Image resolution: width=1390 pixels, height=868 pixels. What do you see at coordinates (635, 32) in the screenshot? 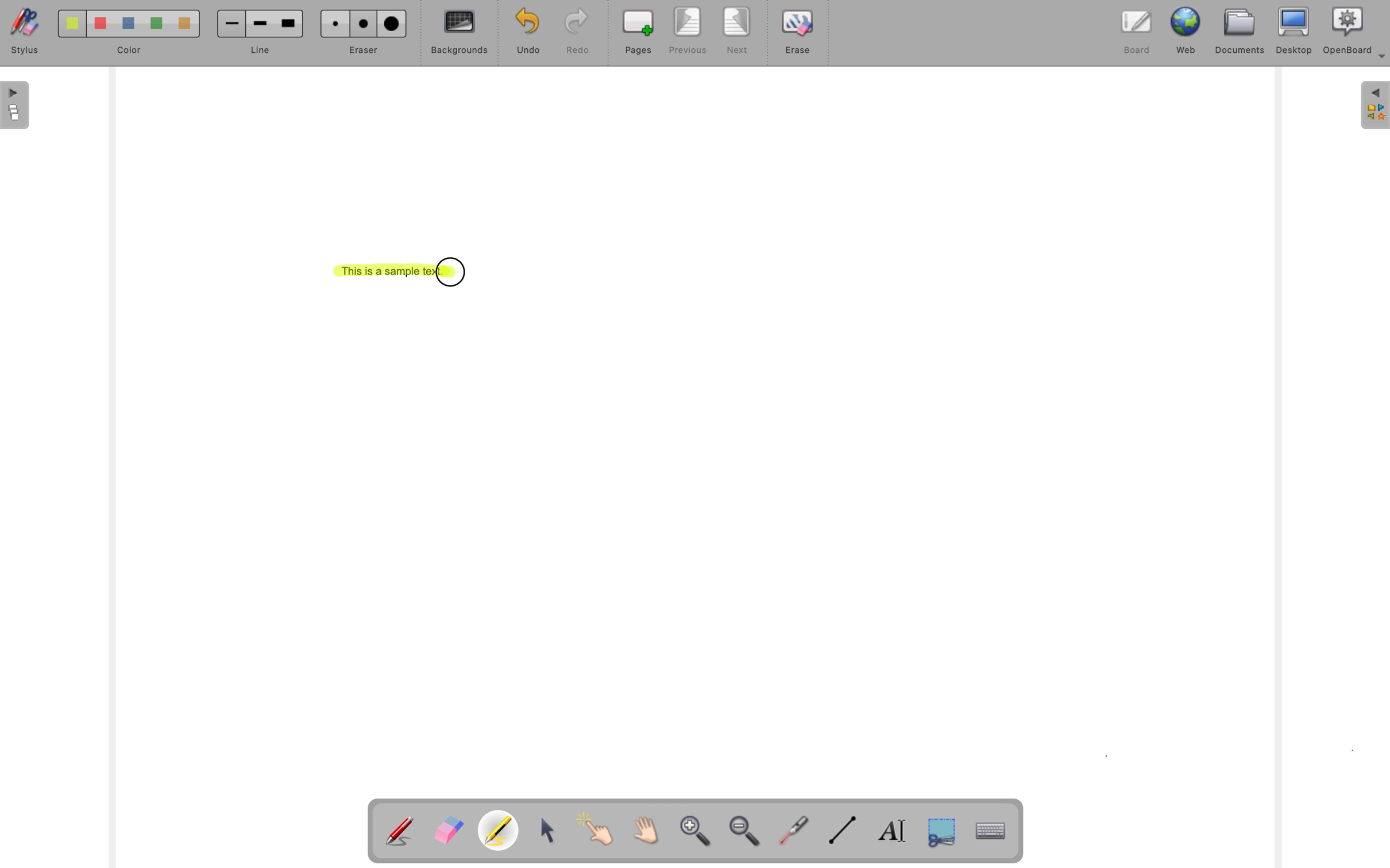
I see `pages` at bounding box center [635, 32].